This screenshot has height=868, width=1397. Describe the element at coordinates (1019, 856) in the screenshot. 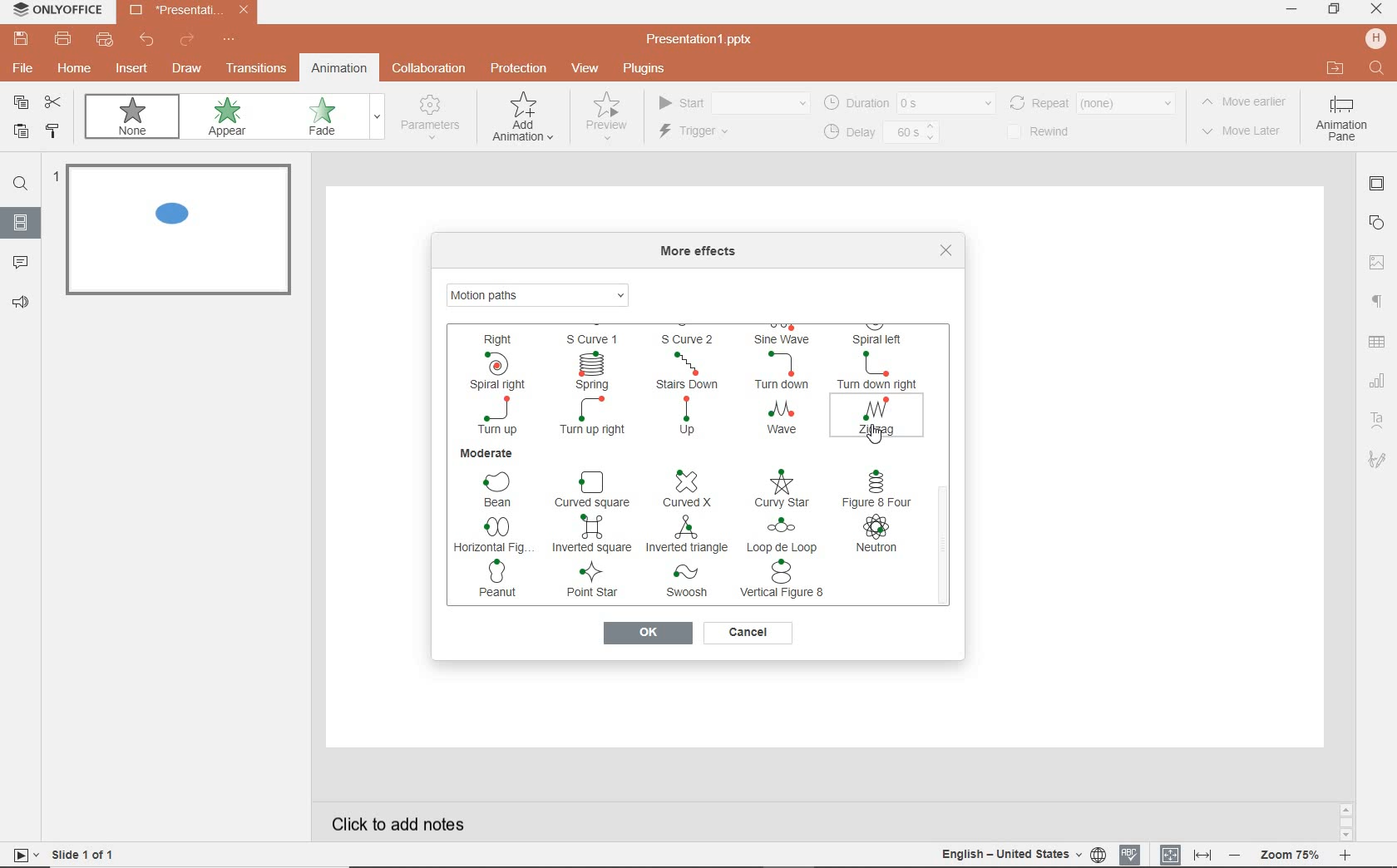

I see `text language` at that location.